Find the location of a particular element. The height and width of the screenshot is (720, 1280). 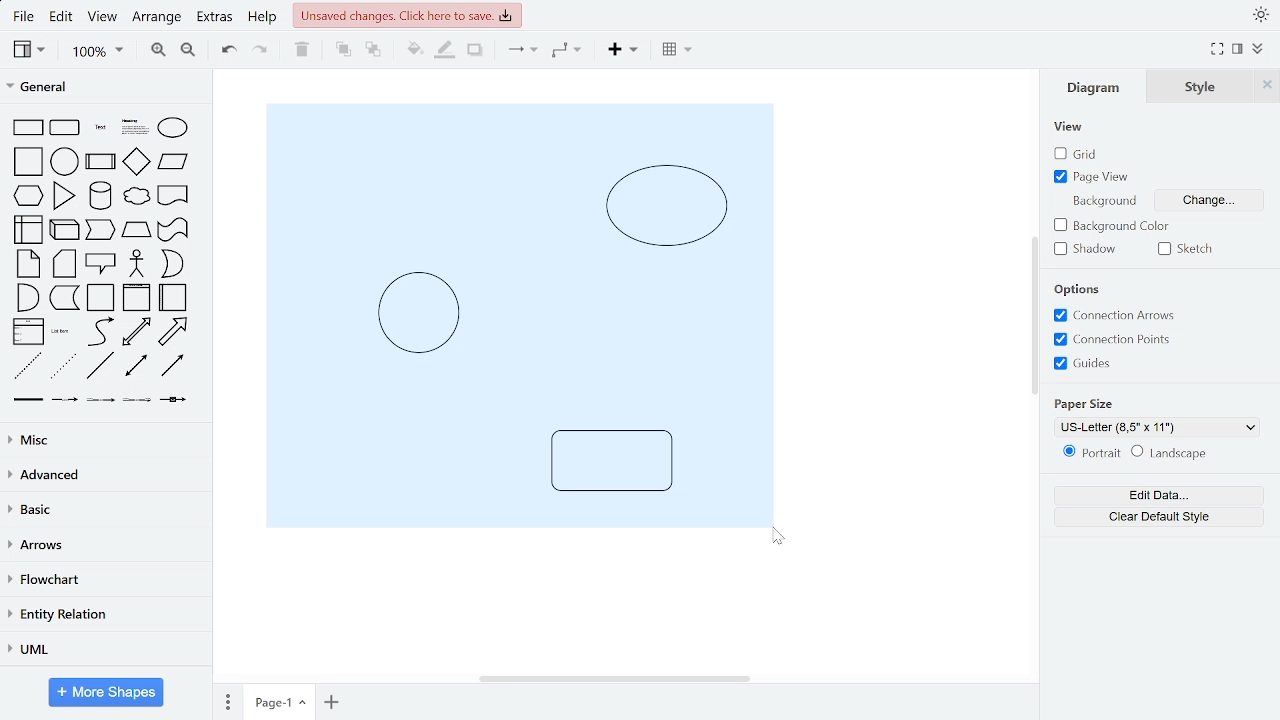

delete is located at coordinates (305, 51).